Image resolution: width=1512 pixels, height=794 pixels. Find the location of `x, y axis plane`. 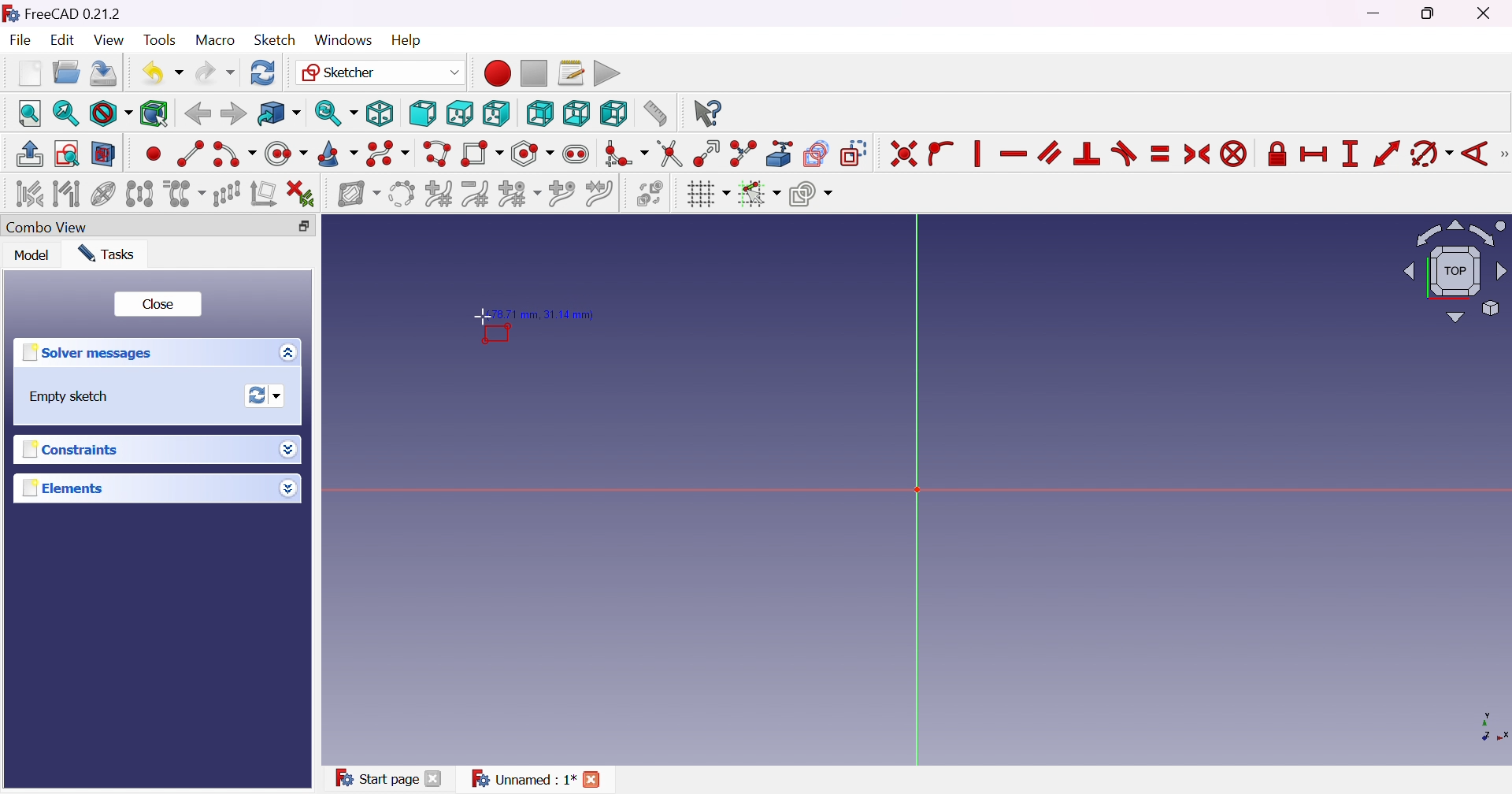

x, y axis plane is located at coordinates (1484, 725).